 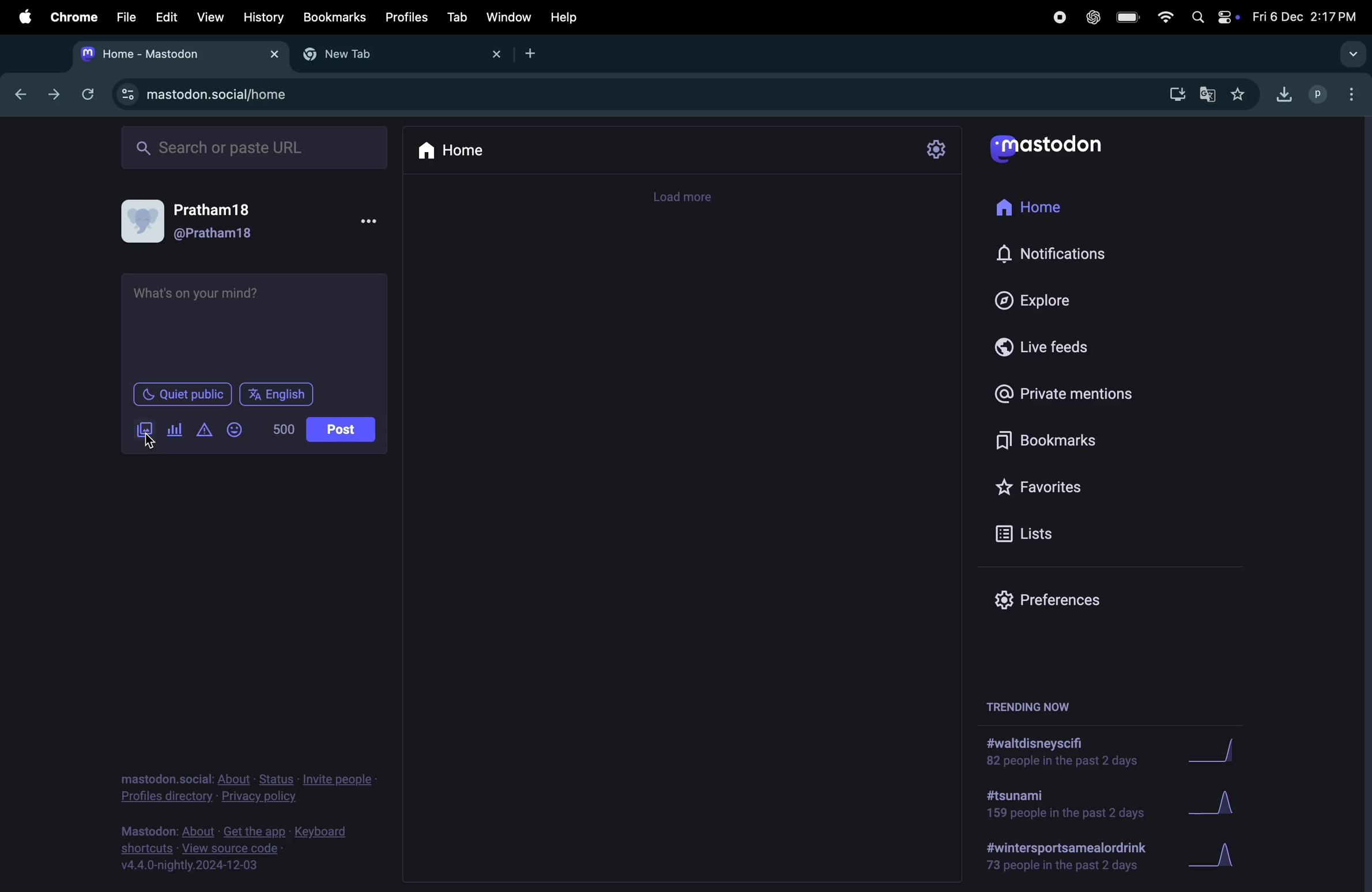 What do you see at coordinates (1284, 92) in the screenshot?
I see `downloads` at bounding box center [1284, 92].